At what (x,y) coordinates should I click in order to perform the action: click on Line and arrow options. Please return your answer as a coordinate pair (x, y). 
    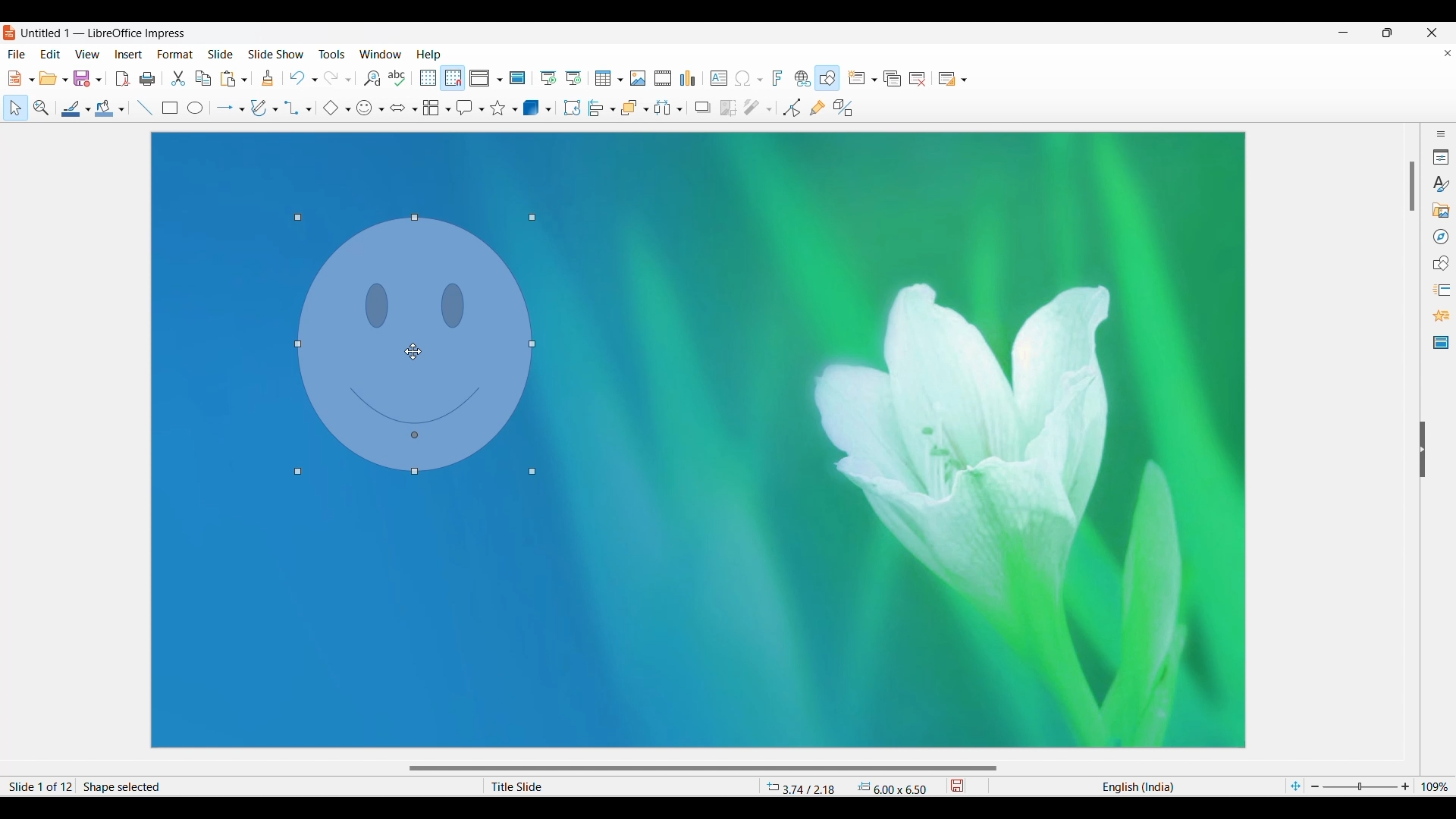
    Looking at the image, I should click on (242, 110).